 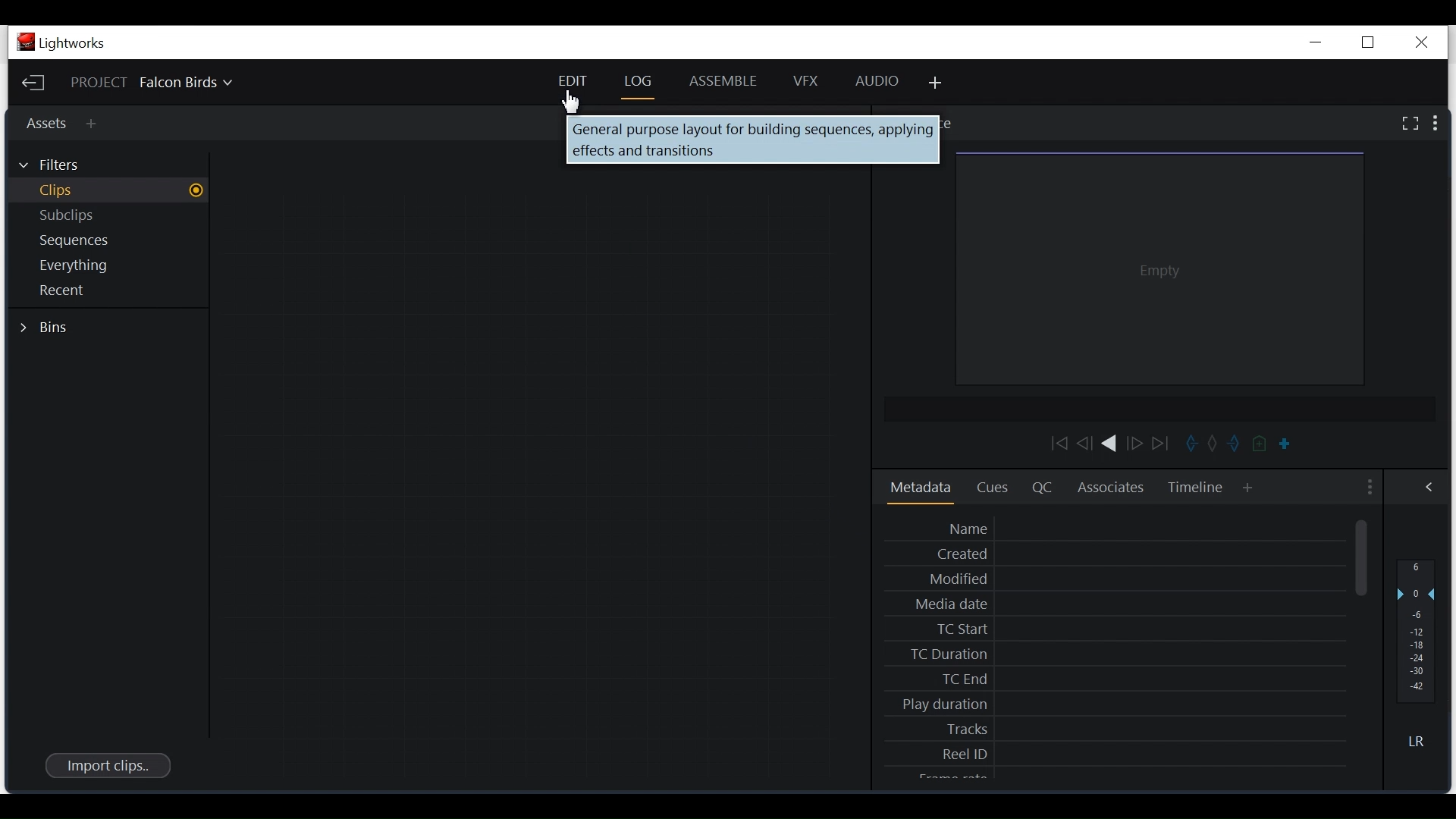 I want to click on Show Recents within the Projects, so click(x=103, y=292).